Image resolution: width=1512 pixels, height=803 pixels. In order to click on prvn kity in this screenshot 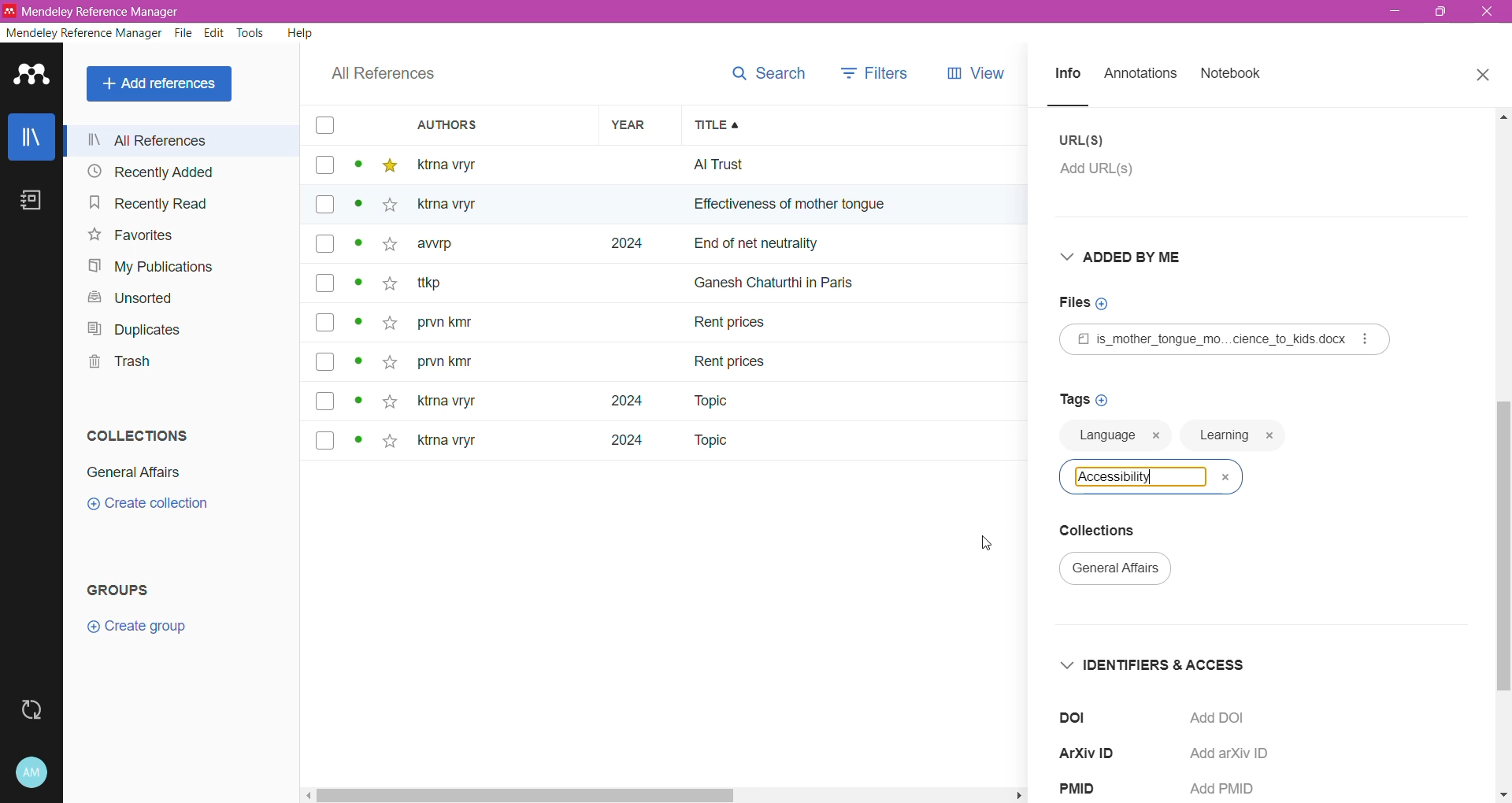, I will do `click(445, 364)`.